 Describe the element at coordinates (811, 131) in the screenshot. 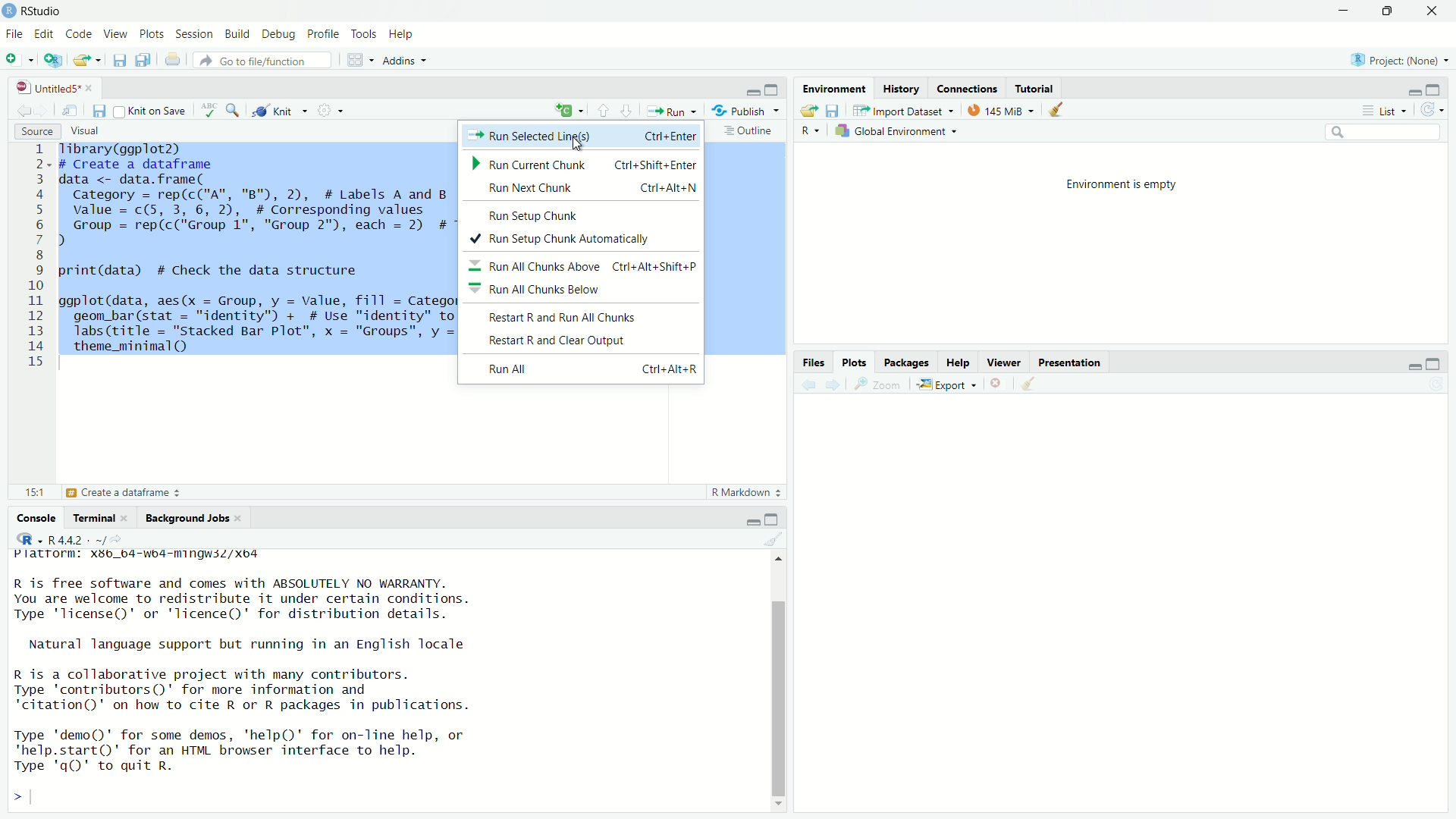

I see `R` at that location.